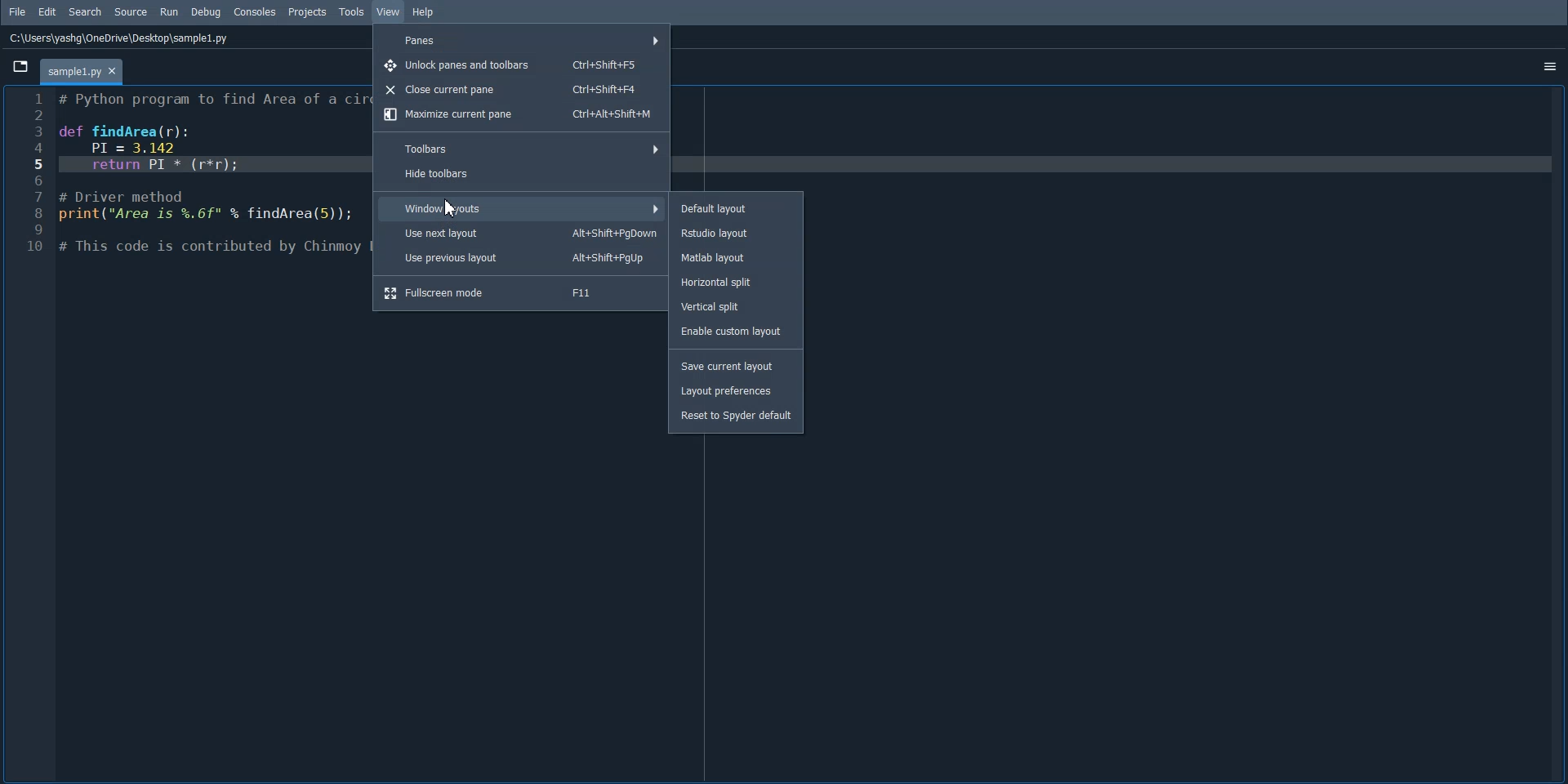 This screenshot has width=1568, height=784. Describe the element at coordinates (519, 114) in the screenshot. I see `Maximize current panes` at that location.